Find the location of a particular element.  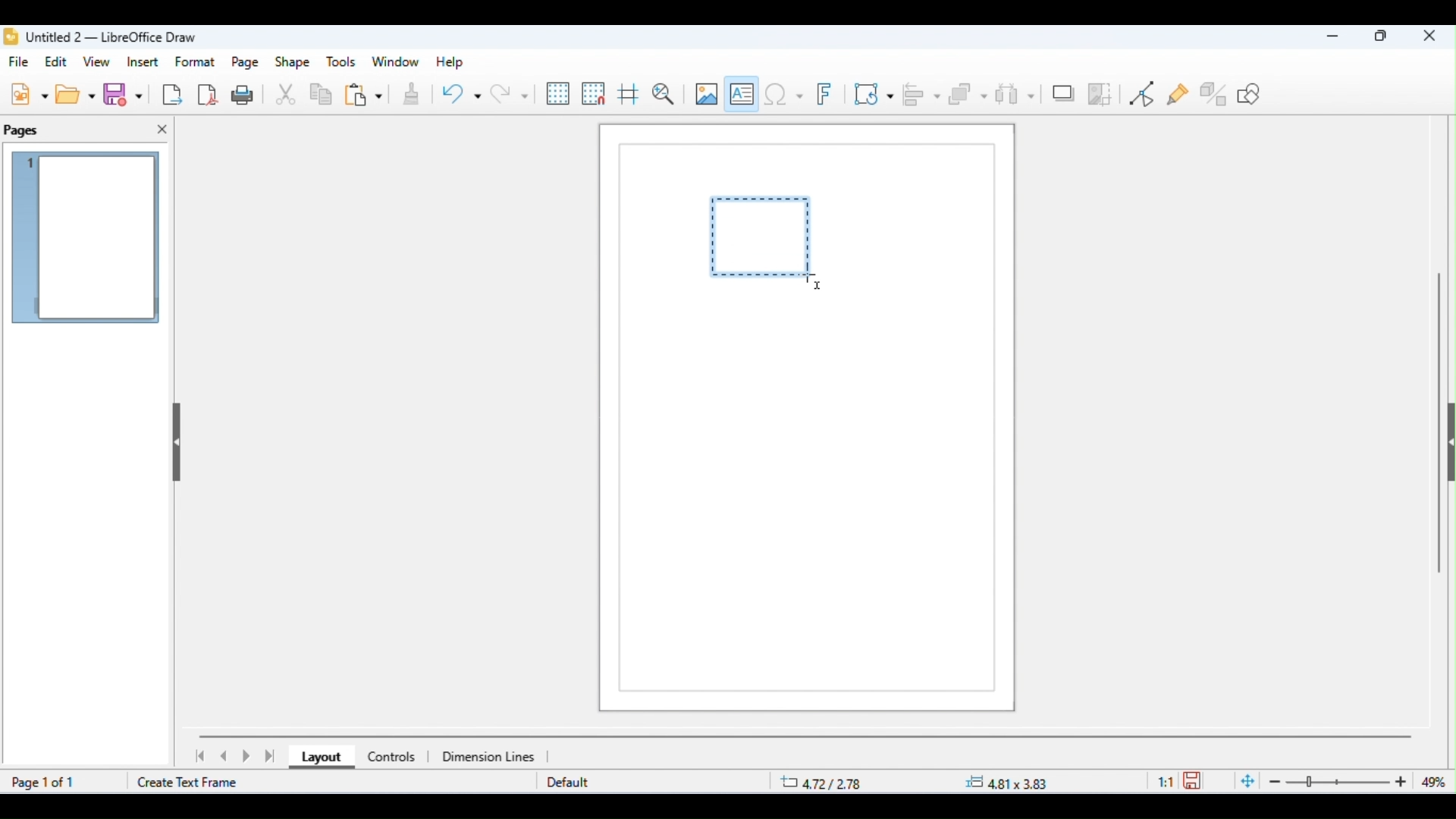

new is located at coordinates (29, 93).